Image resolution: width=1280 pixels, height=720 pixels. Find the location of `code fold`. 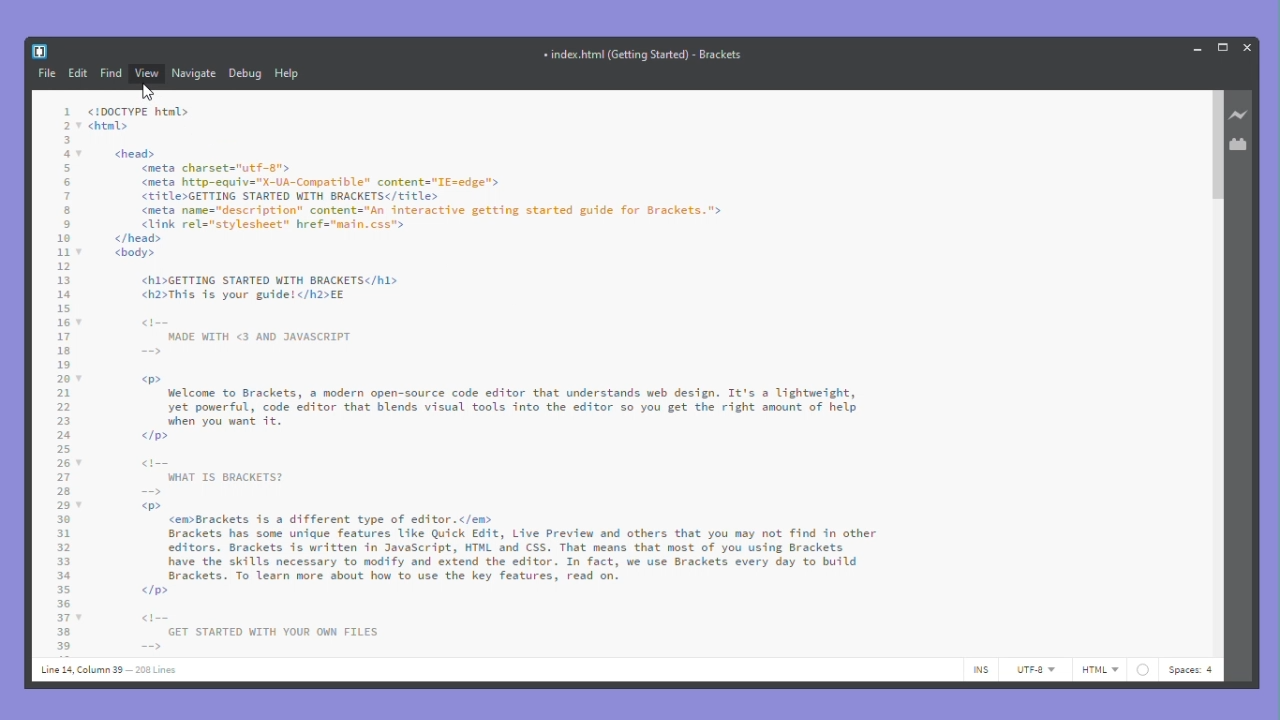

code fold is located at coordinates (81, 462).